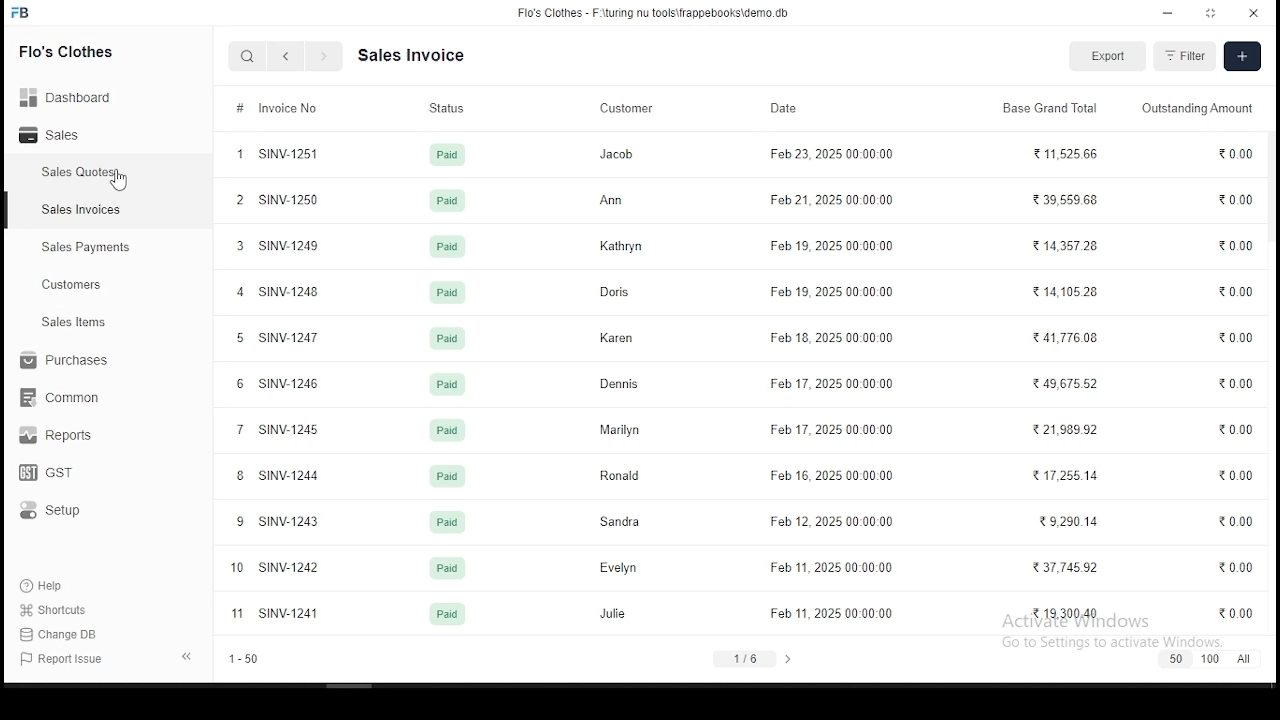  Describe the element at coordinates (1071, 291) in the screenshot. I see `14,105.28` at that location.